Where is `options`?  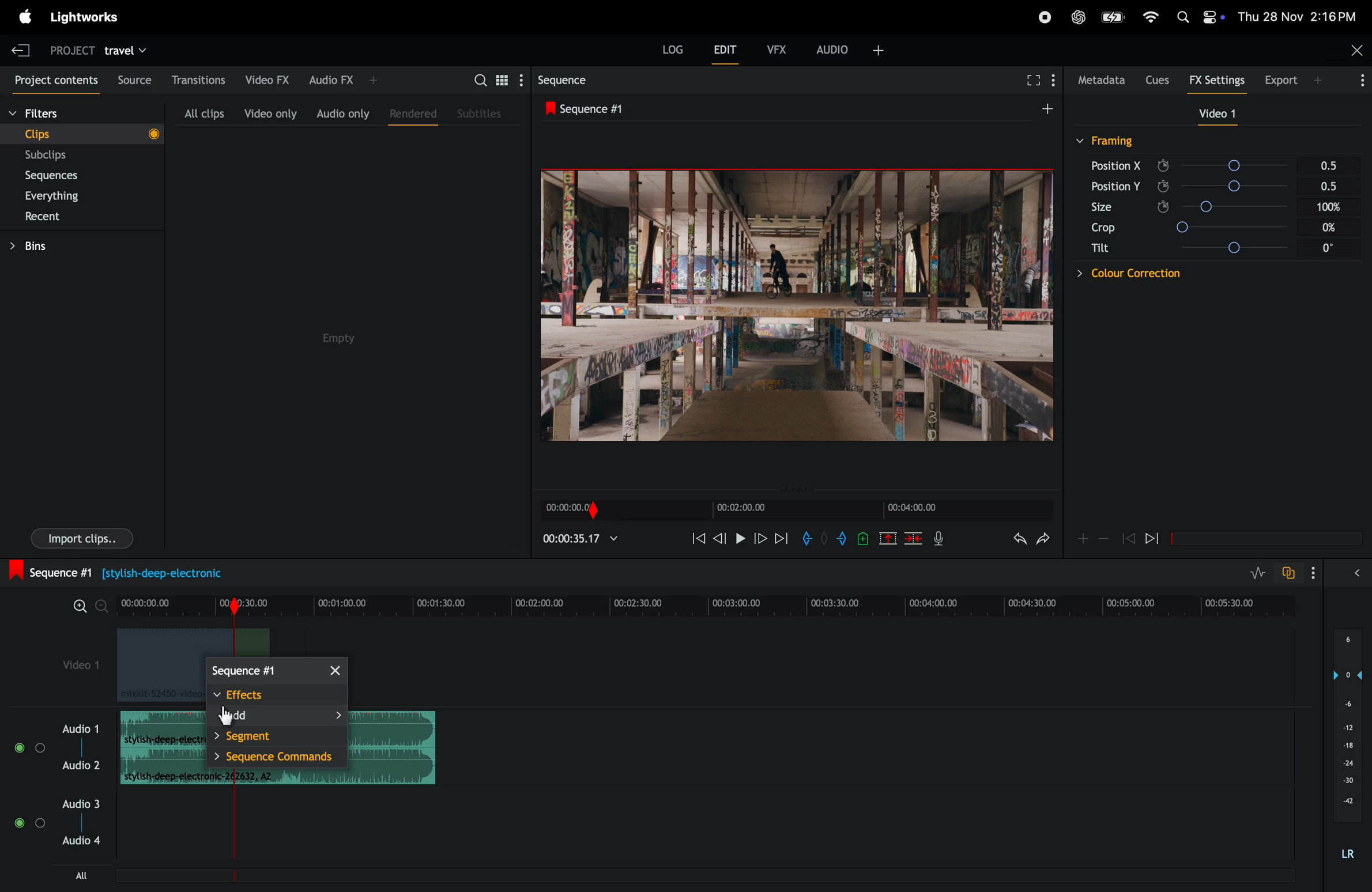
options is located at coordinates (1360, 572).